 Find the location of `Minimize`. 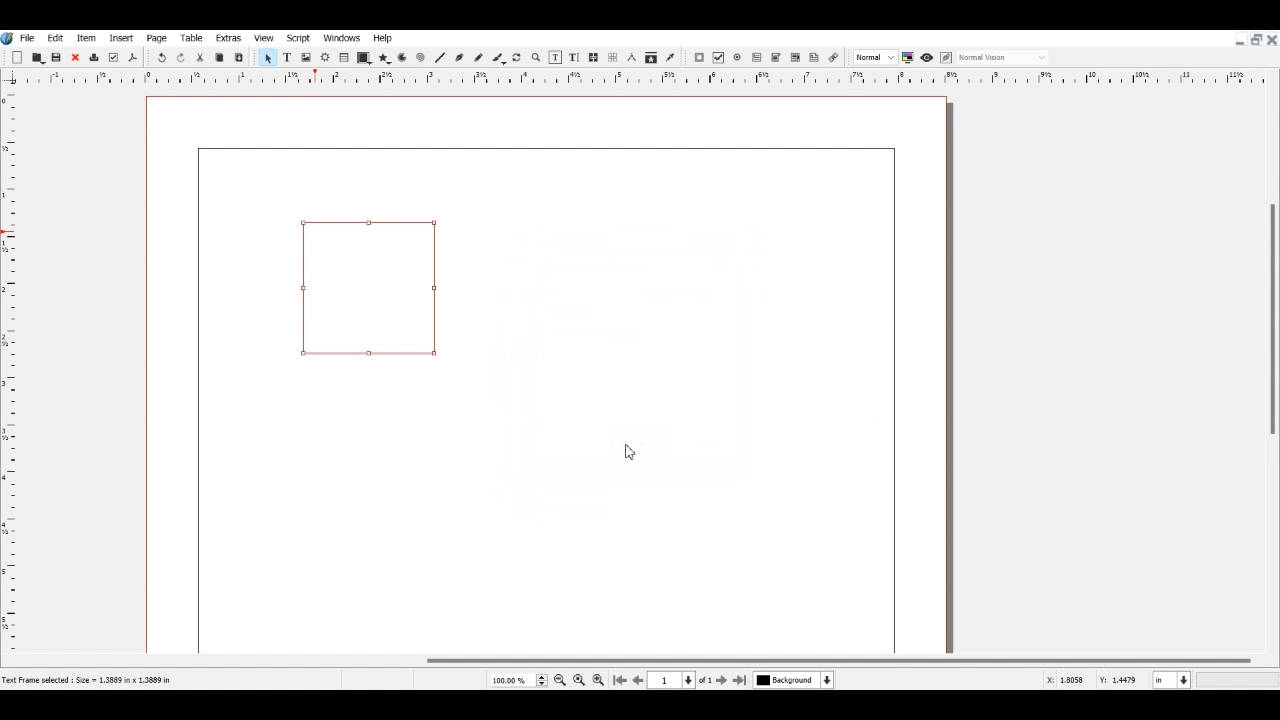

Minimize is located at coordinates (1240, 40).